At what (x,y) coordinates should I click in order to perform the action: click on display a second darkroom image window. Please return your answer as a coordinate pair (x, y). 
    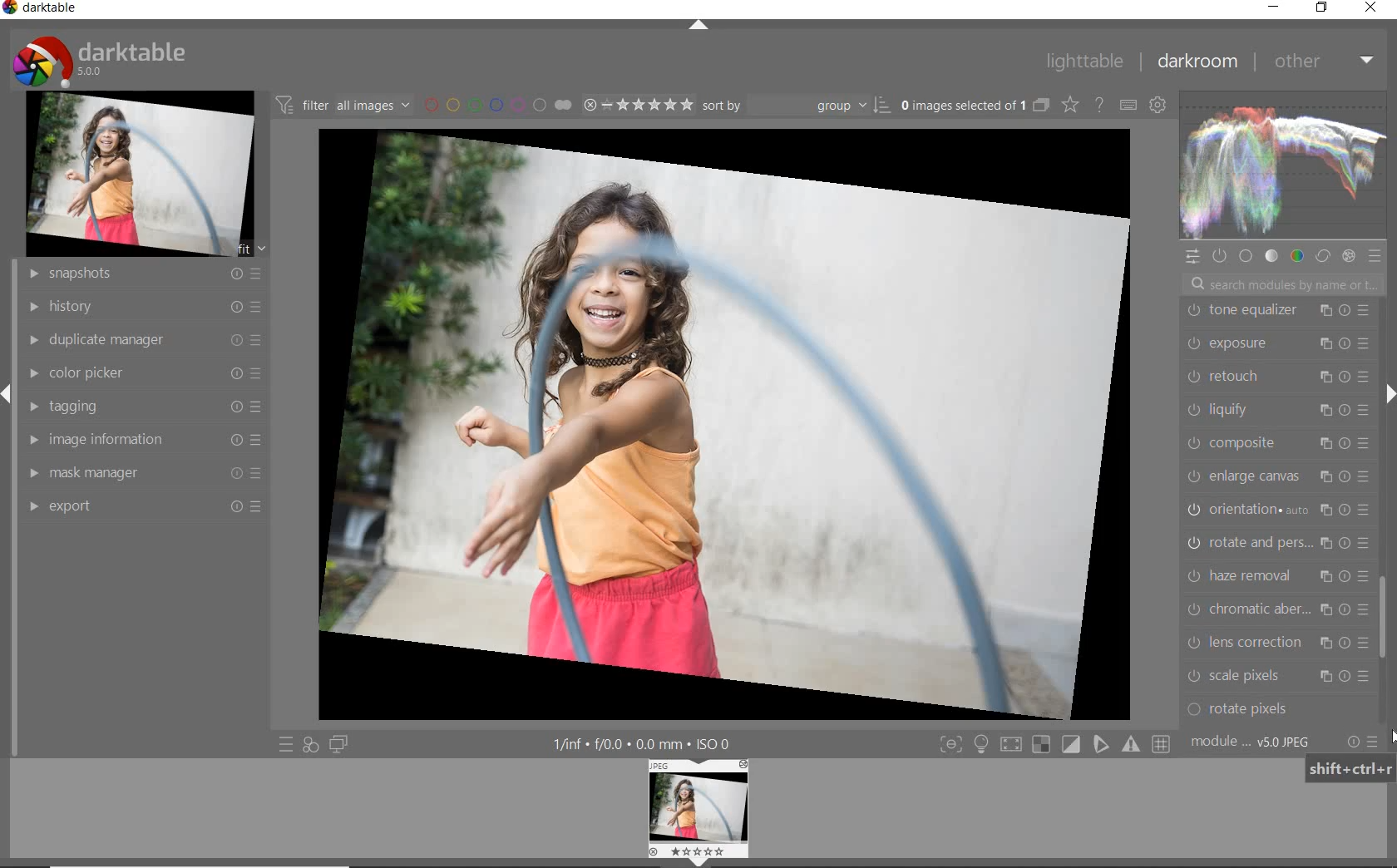
    Looking at the image, I should click on (338, 745).